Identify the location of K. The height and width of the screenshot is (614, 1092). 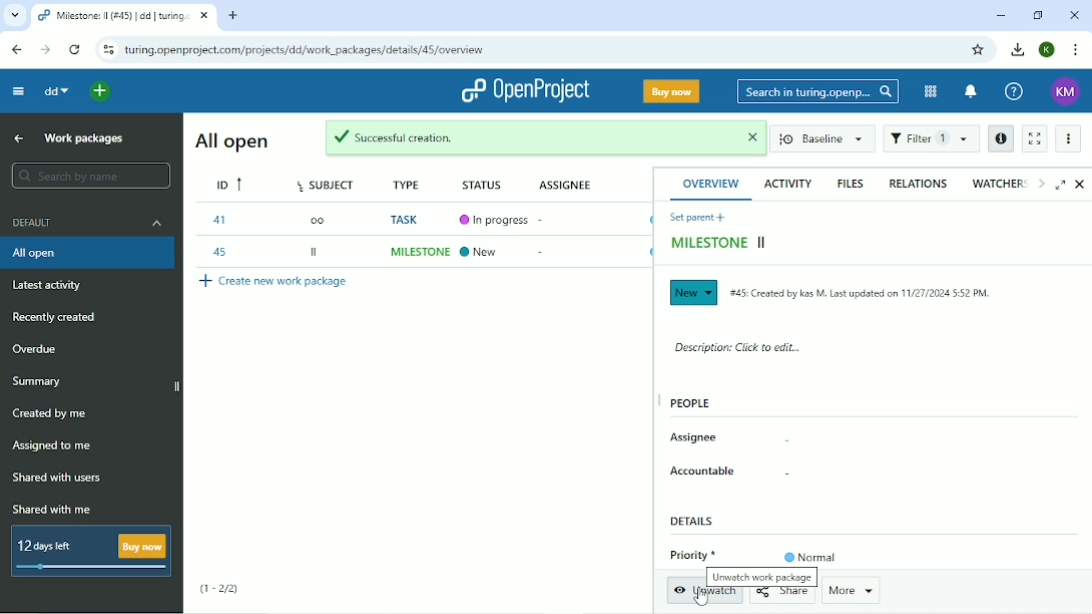
(1048, 50).